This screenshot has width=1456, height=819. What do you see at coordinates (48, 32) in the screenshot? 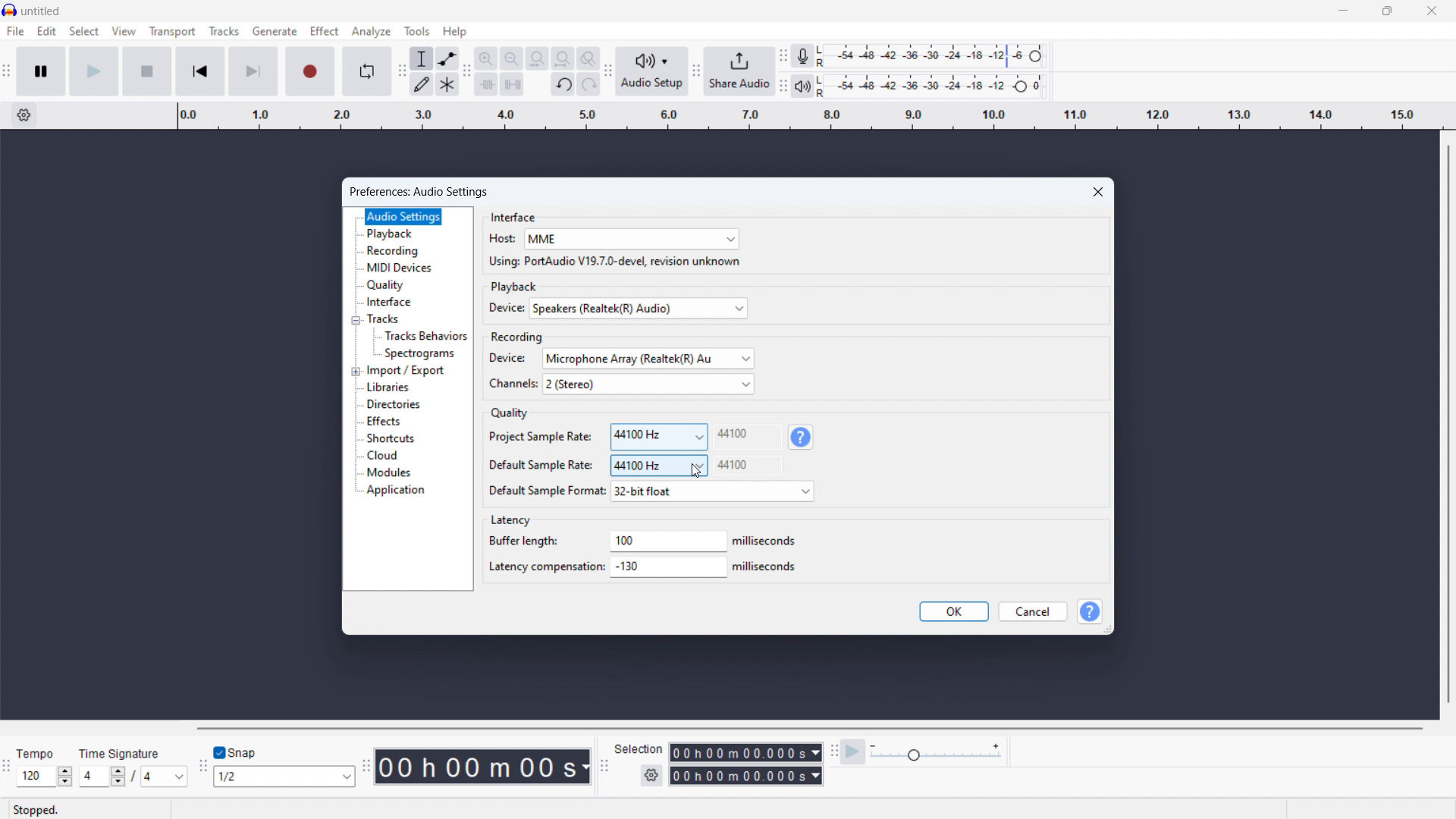
I see `edit` at bounding box center [48, 32].